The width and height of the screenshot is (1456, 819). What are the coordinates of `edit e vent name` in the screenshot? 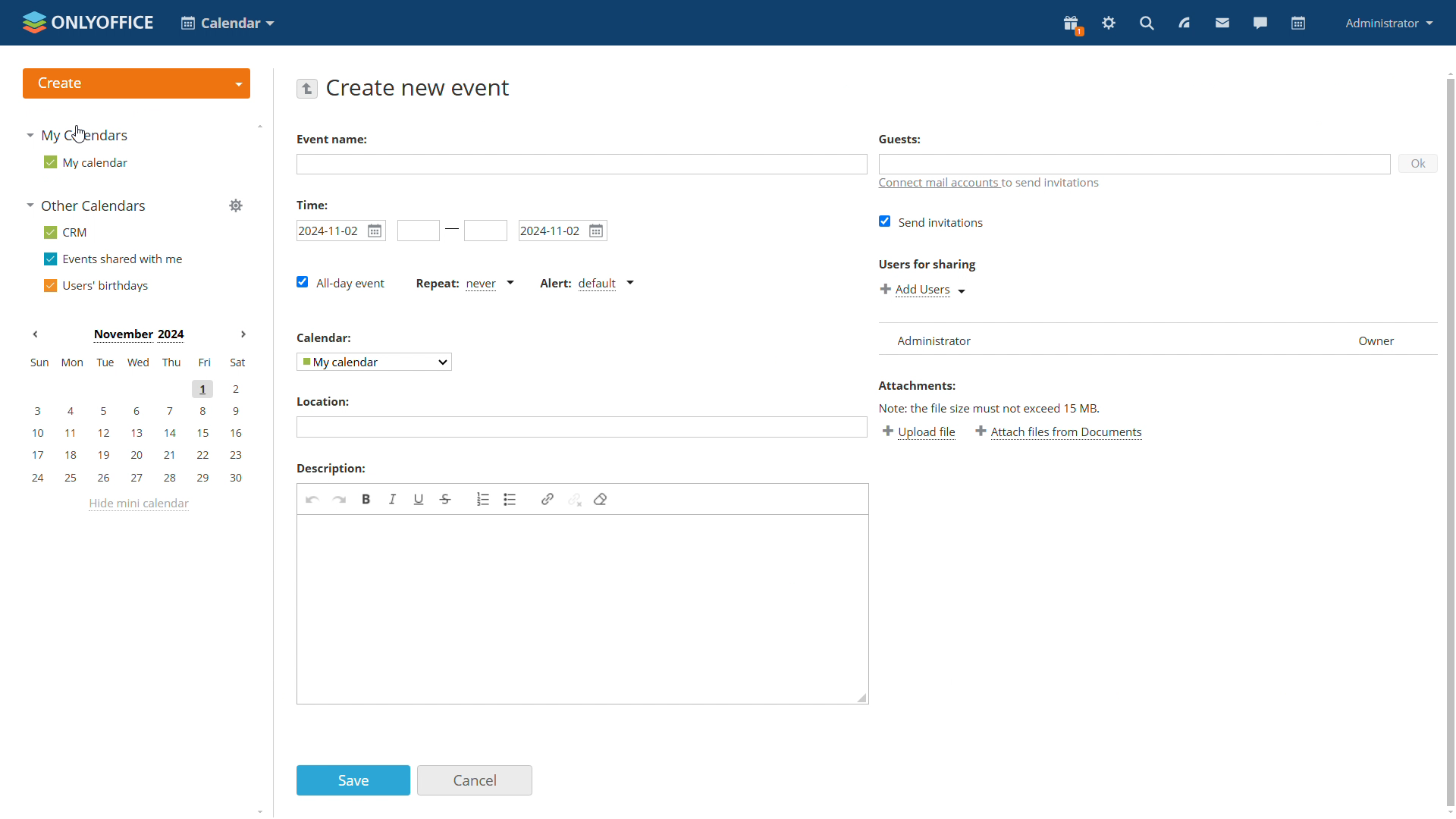 It's located at (582, 165).